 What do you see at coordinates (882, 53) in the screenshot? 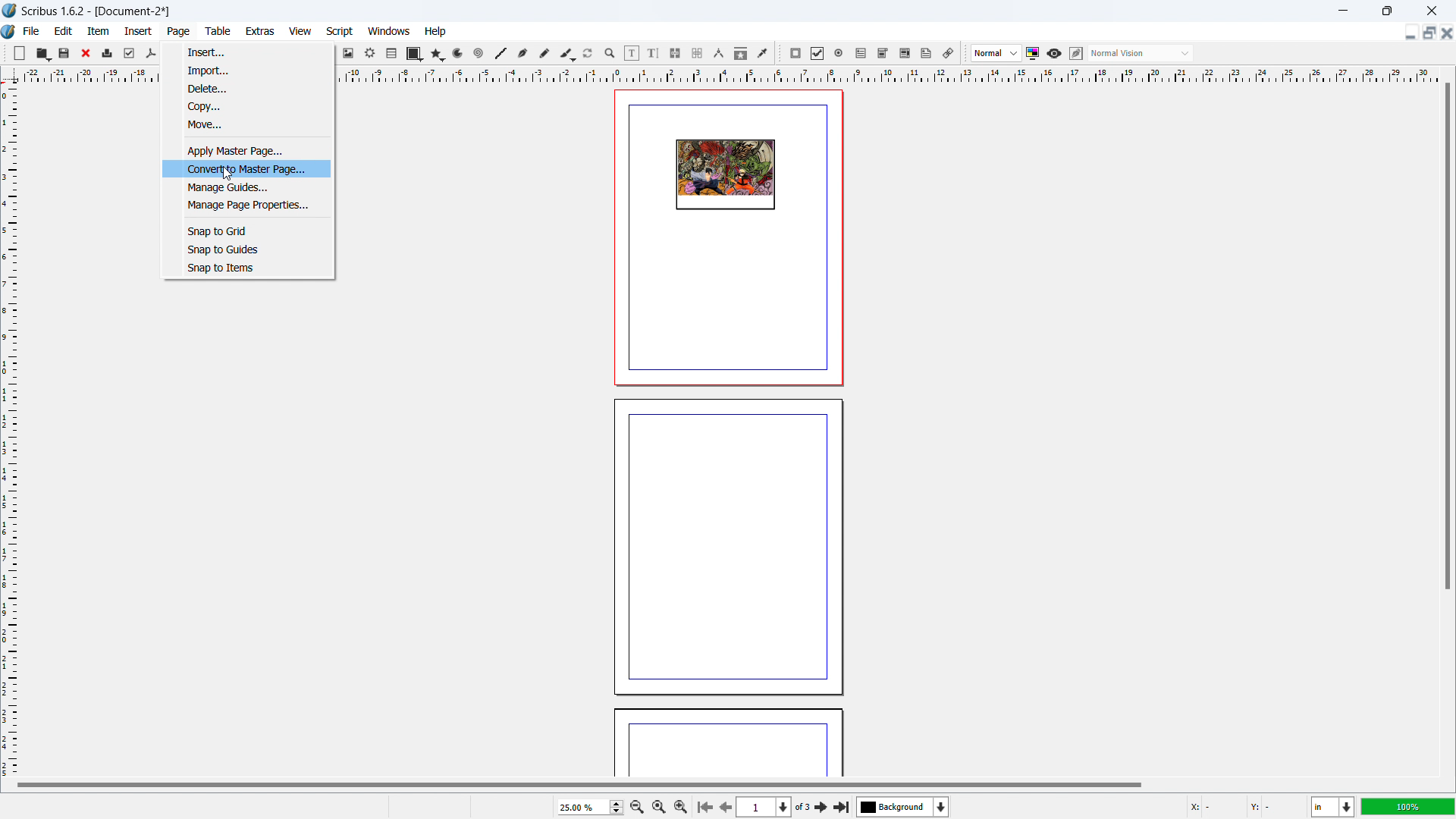
I see `pdf combo box` at bounding box center [882, 53].